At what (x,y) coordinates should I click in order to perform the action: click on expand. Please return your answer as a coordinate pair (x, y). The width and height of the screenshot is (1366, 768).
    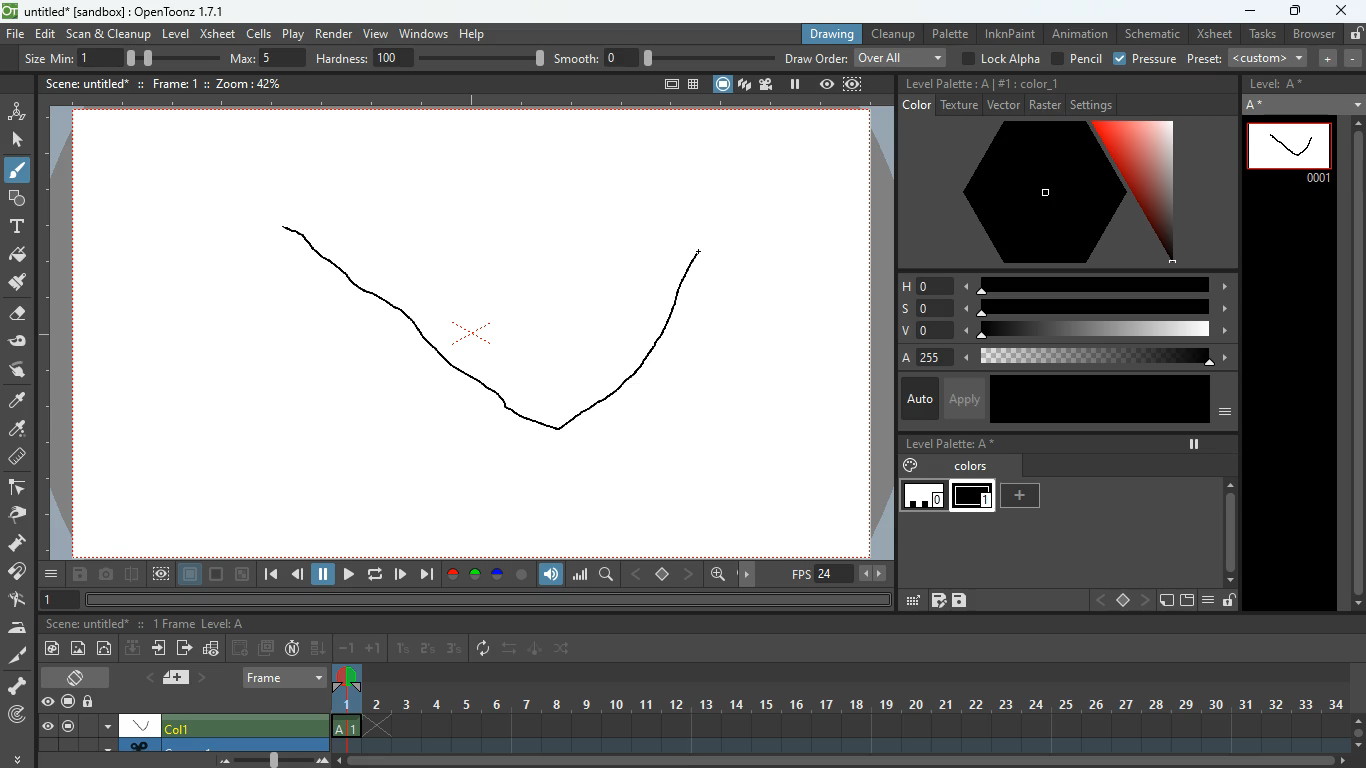
    Looking at the image, I should click on (1355, 101).